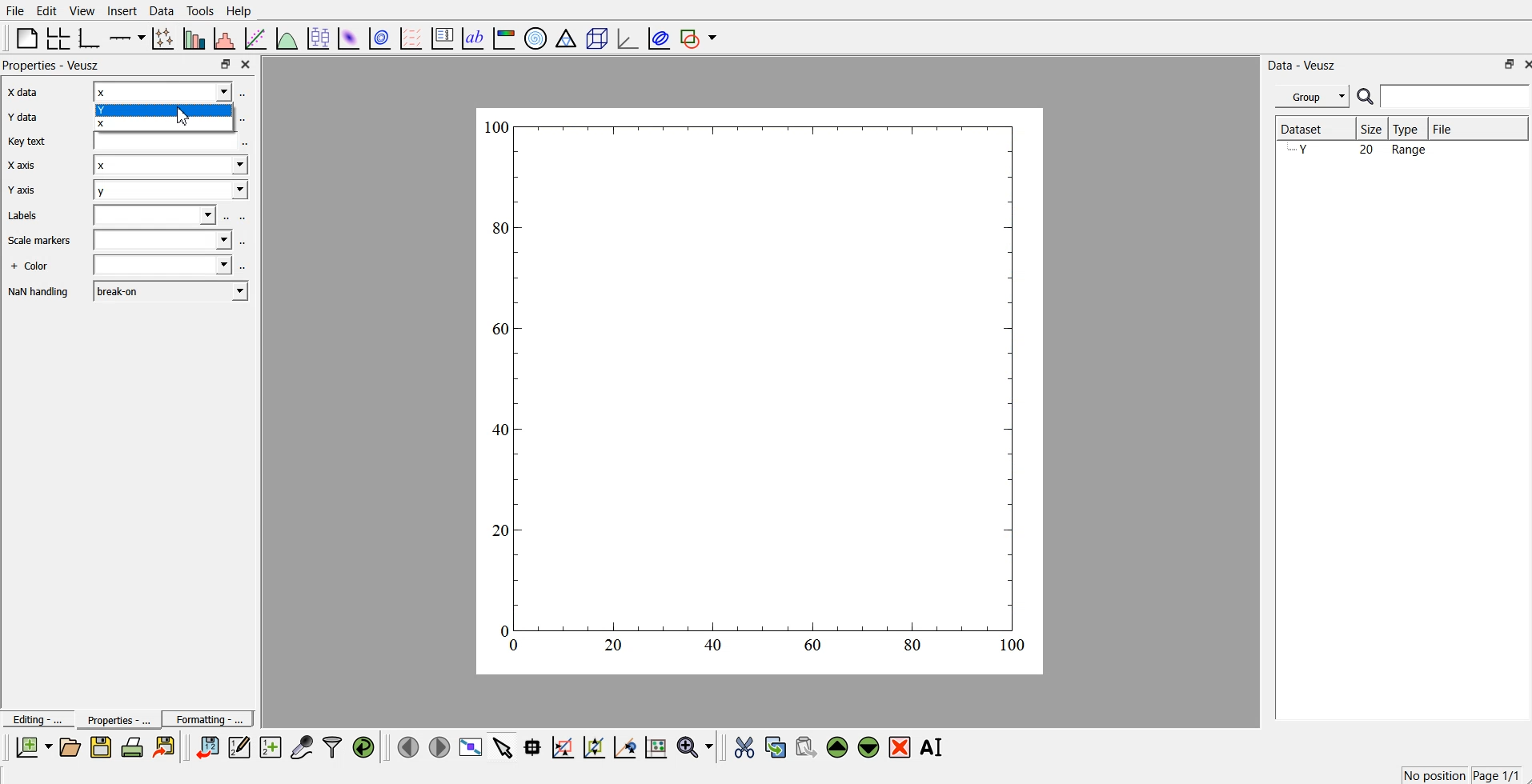  What do you see at coordinates (471, 746) in the screenshot?
I see `View plot full screen` at bounding box center [471, 746].